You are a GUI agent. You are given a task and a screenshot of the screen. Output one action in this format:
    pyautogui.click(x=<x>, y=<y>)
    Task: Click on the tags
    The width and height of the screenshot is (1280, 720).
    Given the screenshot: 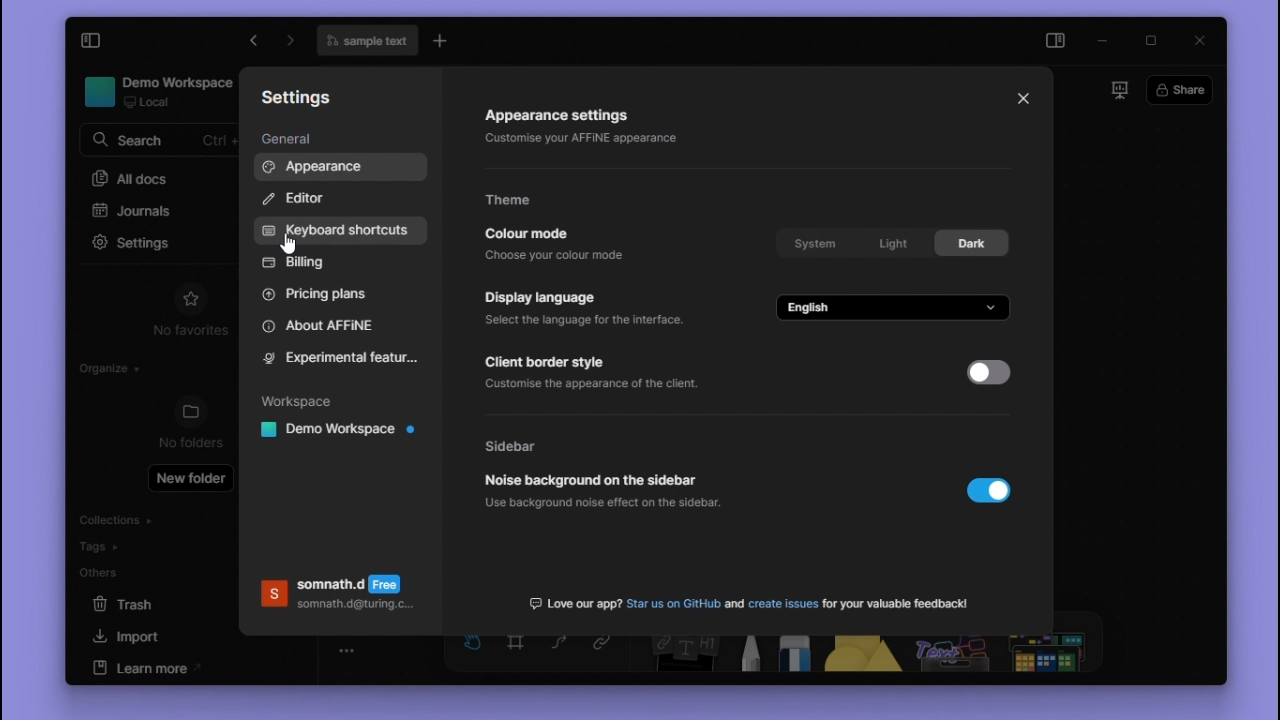 What is the action you would take?
    pyautogui.click(x=114, y=545)
    